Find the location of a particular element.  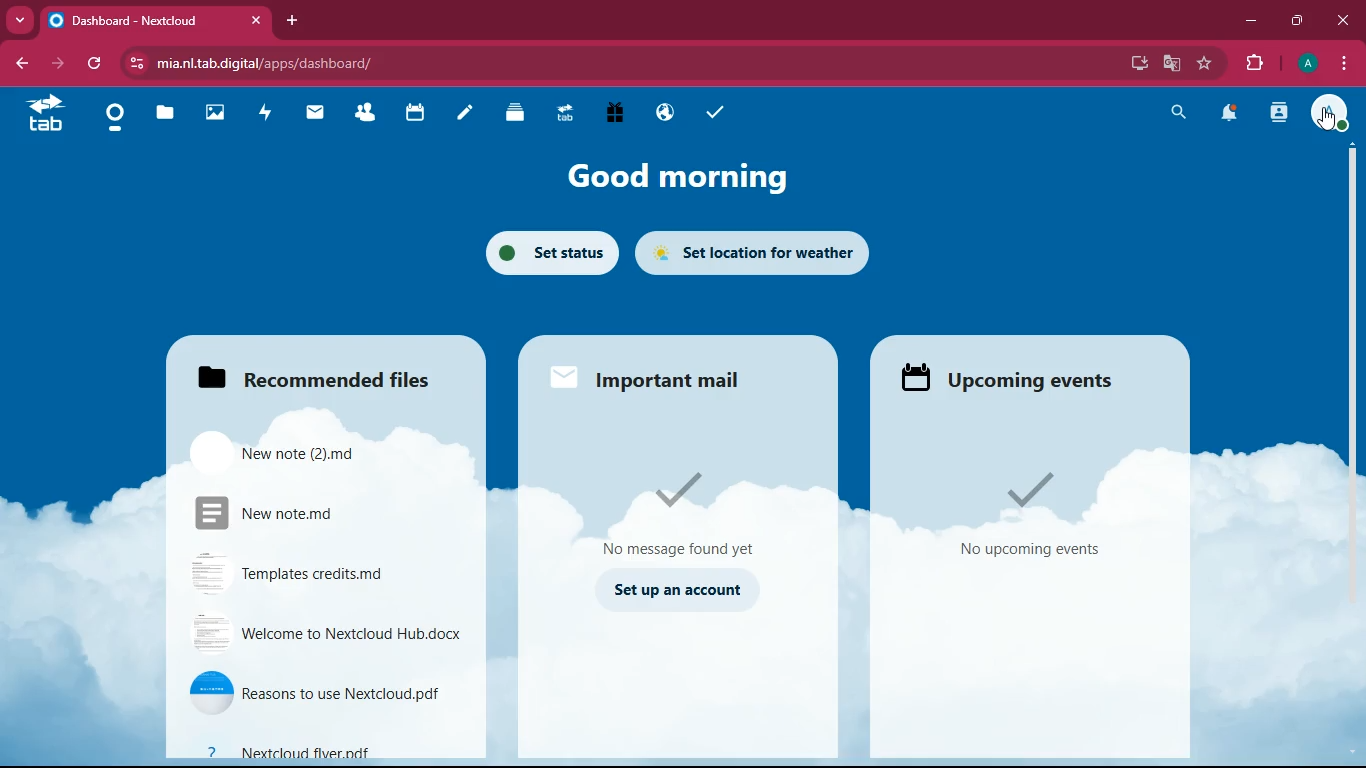

add tab is located at coordinates (294, 21).